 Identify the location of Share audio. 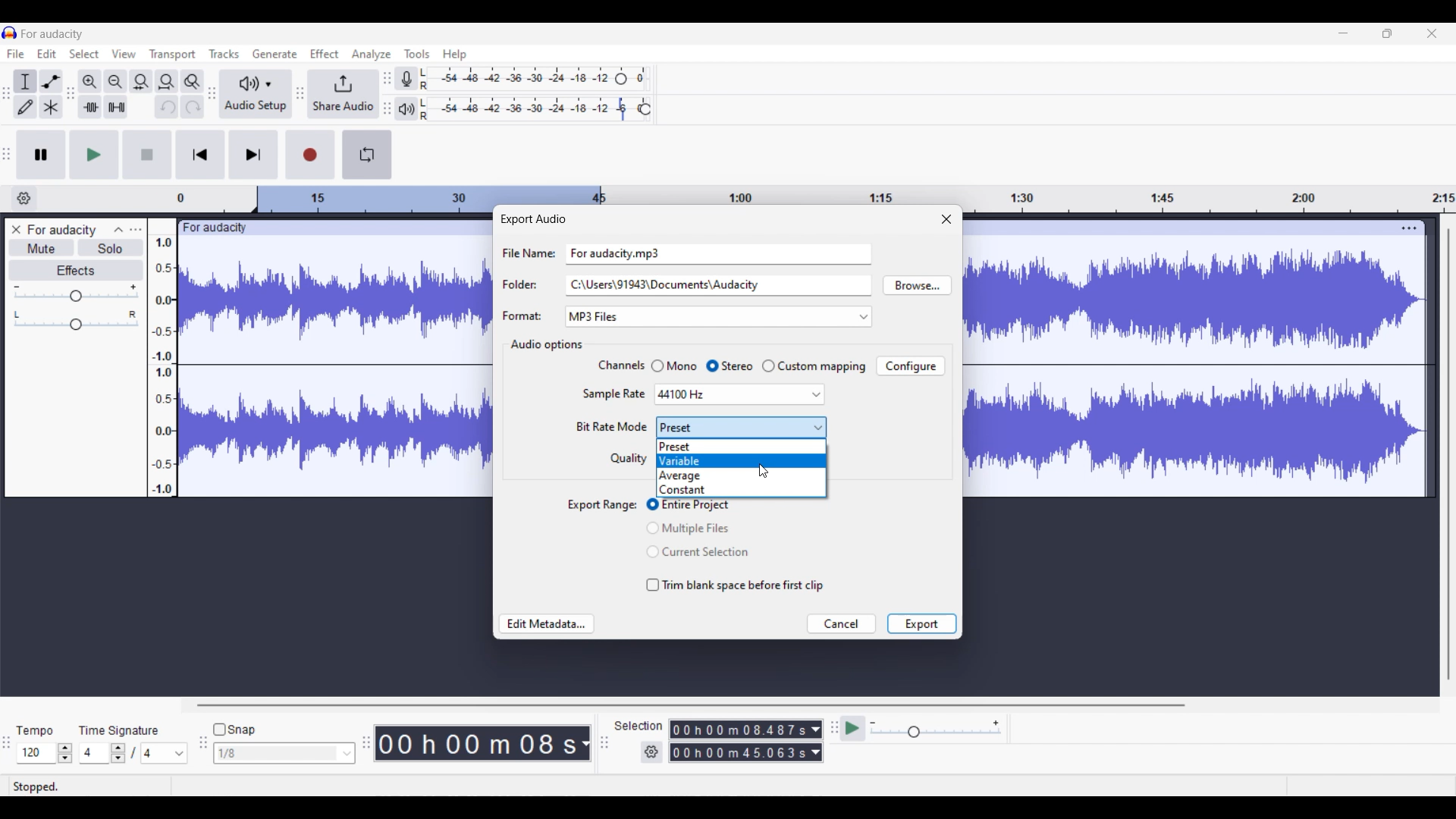
(343, 94).